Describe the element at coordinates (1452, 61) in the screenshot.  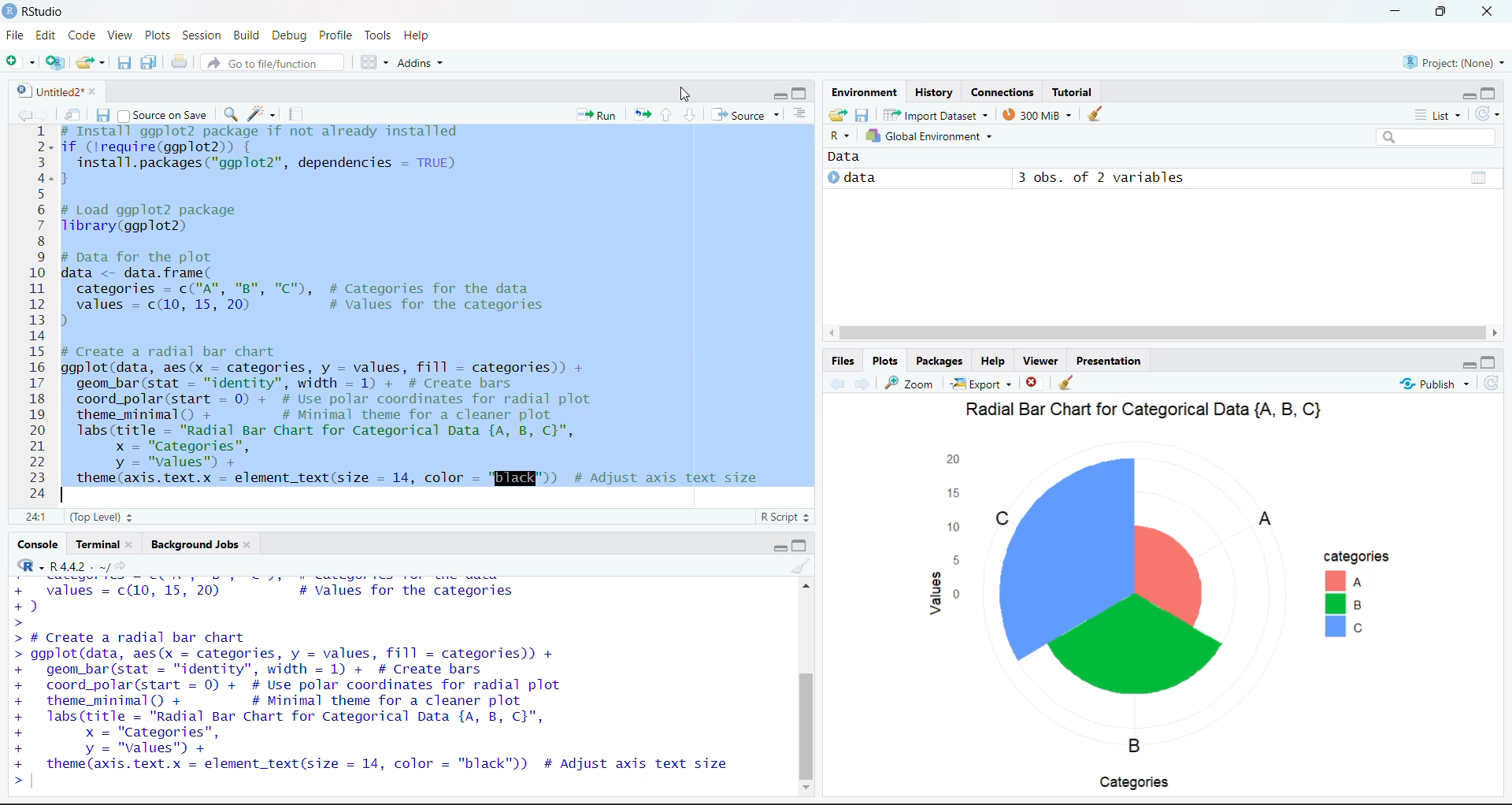
I see ` Project: (None) ` at that location.